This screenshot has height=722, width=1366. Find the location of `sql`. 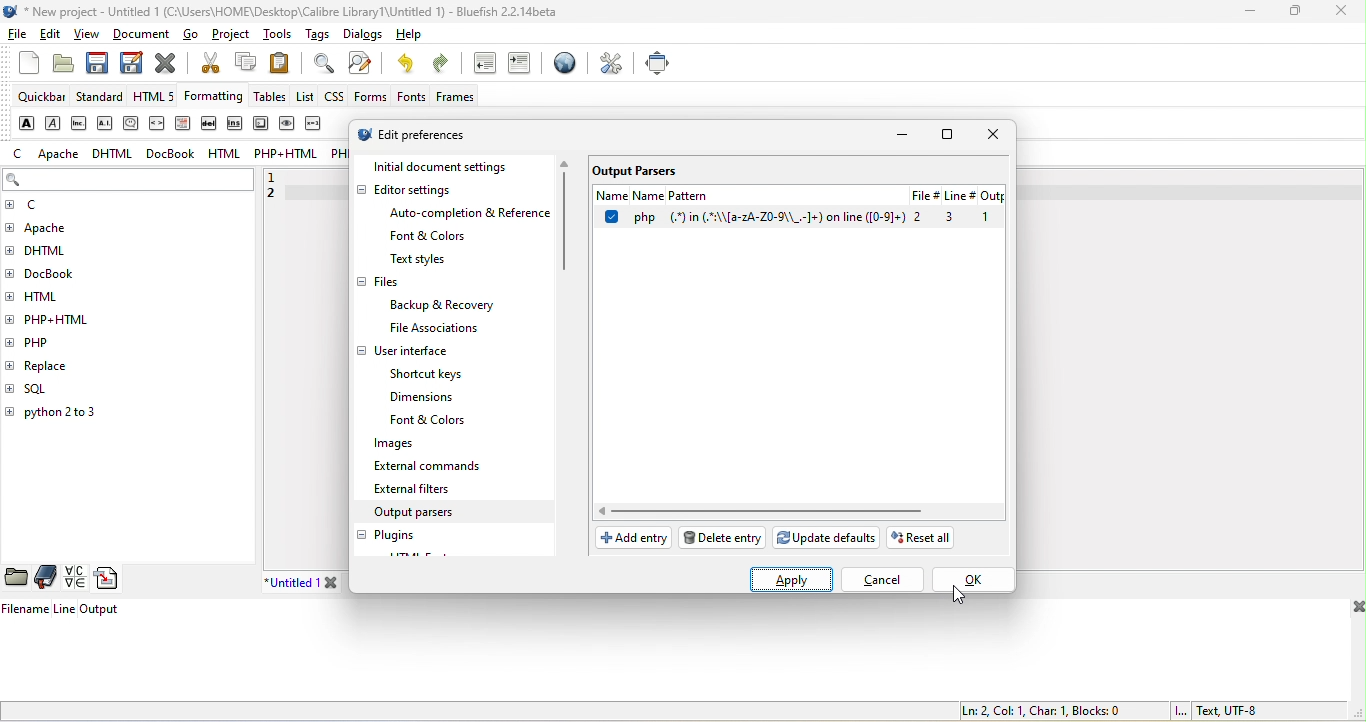

sql is located at coordinates (47, 389).